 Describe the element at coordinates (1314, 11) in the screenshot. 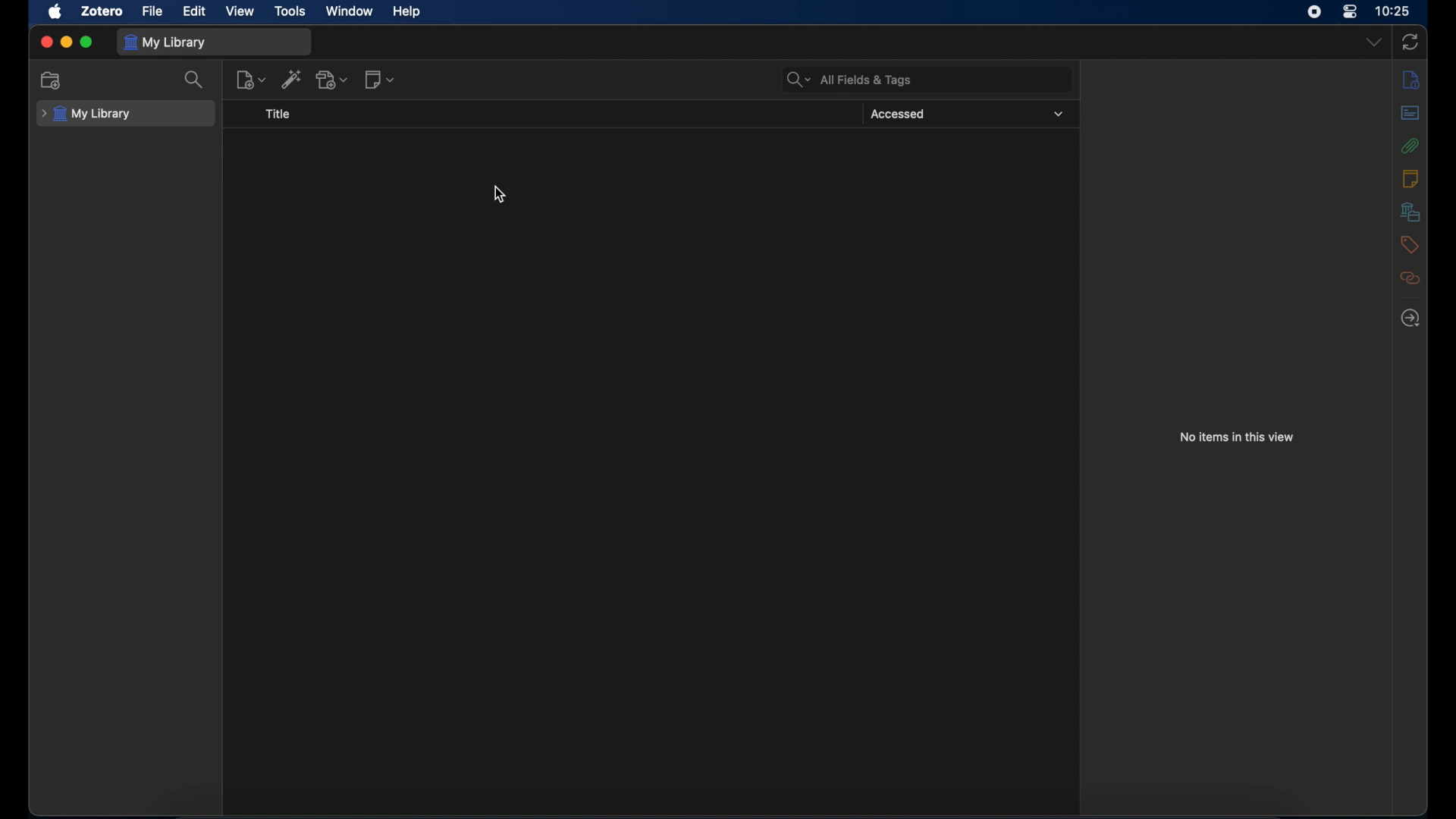

I see `screen recorder` at that location.